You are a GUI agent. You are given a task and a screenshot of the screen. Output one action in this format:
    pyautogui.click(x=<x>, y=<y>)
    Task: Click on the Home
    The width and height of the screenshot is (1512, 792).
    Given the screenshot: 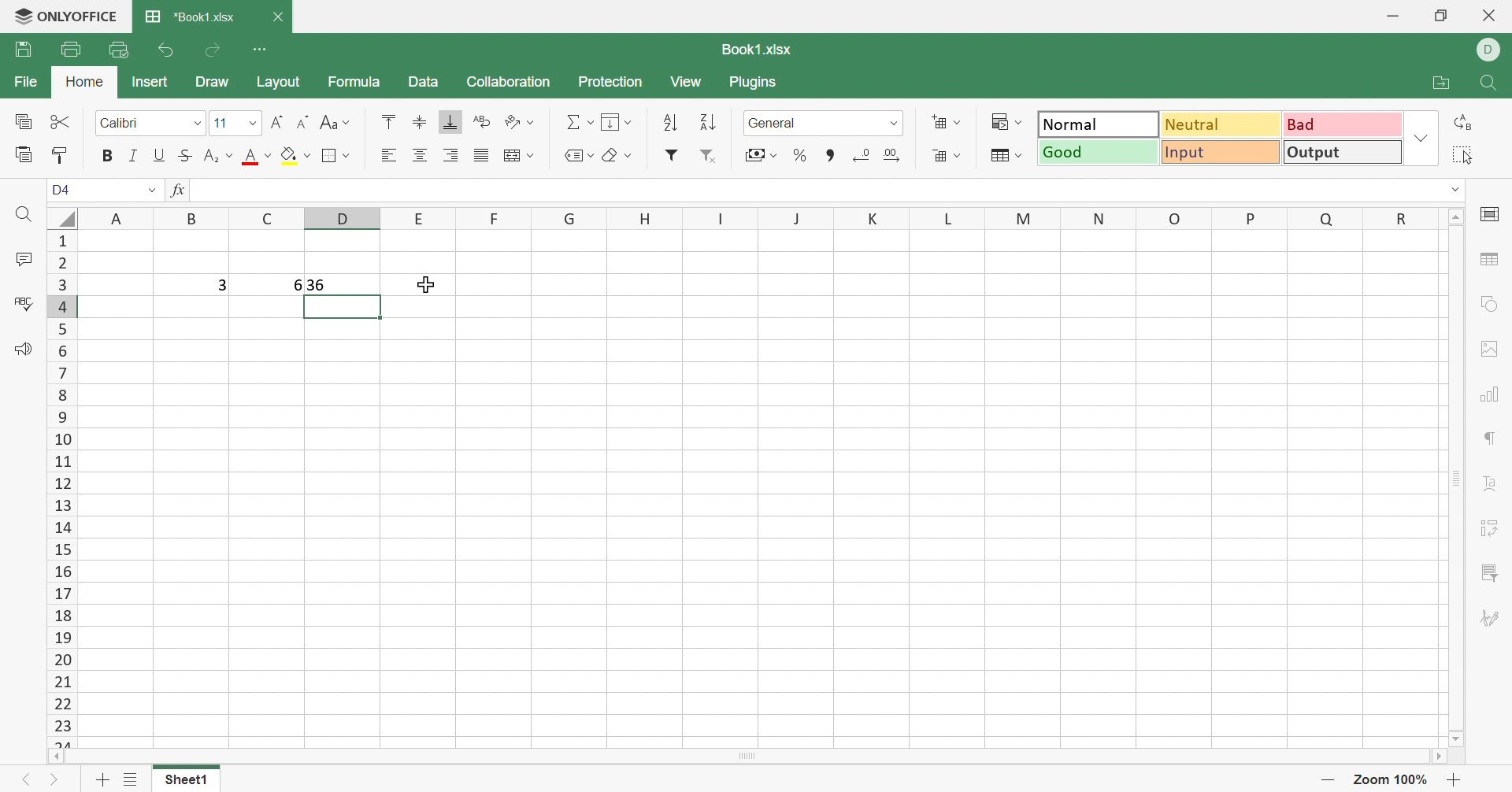 What is the action you would take?
    pyautogui.click(x=84, y=80)
    